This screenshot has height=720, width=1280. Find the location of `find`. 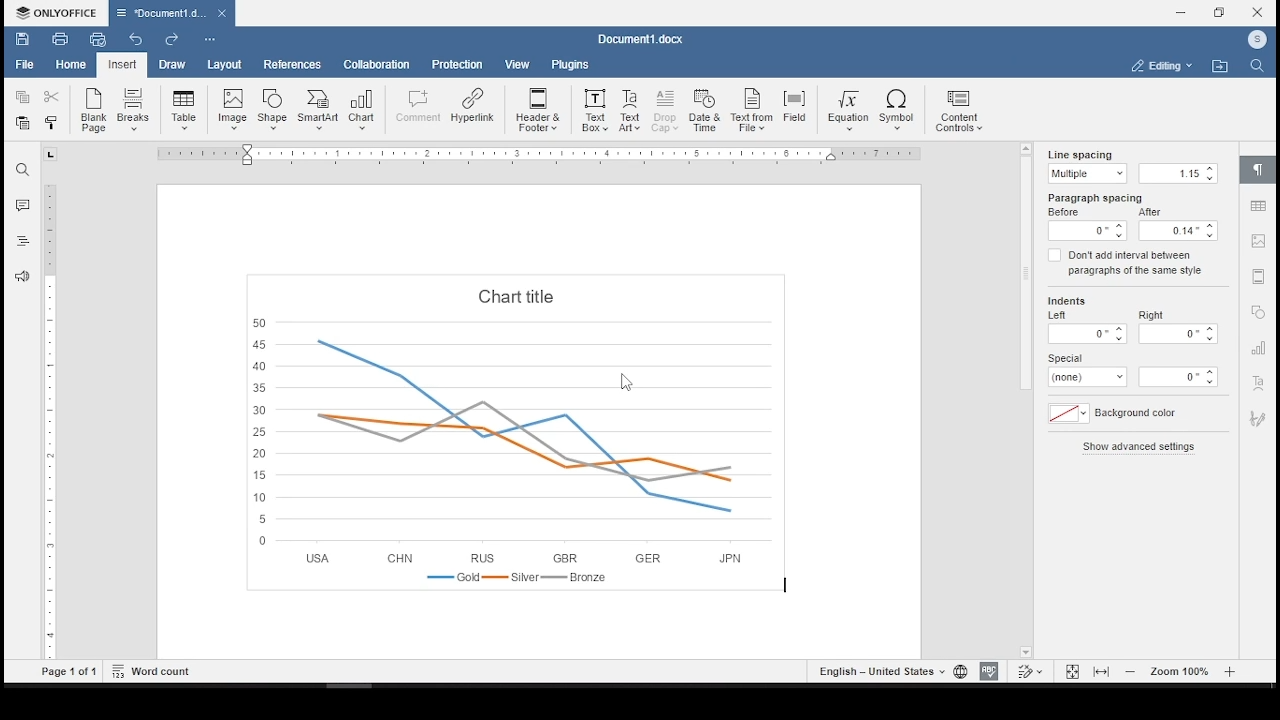

find is located at coordinates (1257, 65).